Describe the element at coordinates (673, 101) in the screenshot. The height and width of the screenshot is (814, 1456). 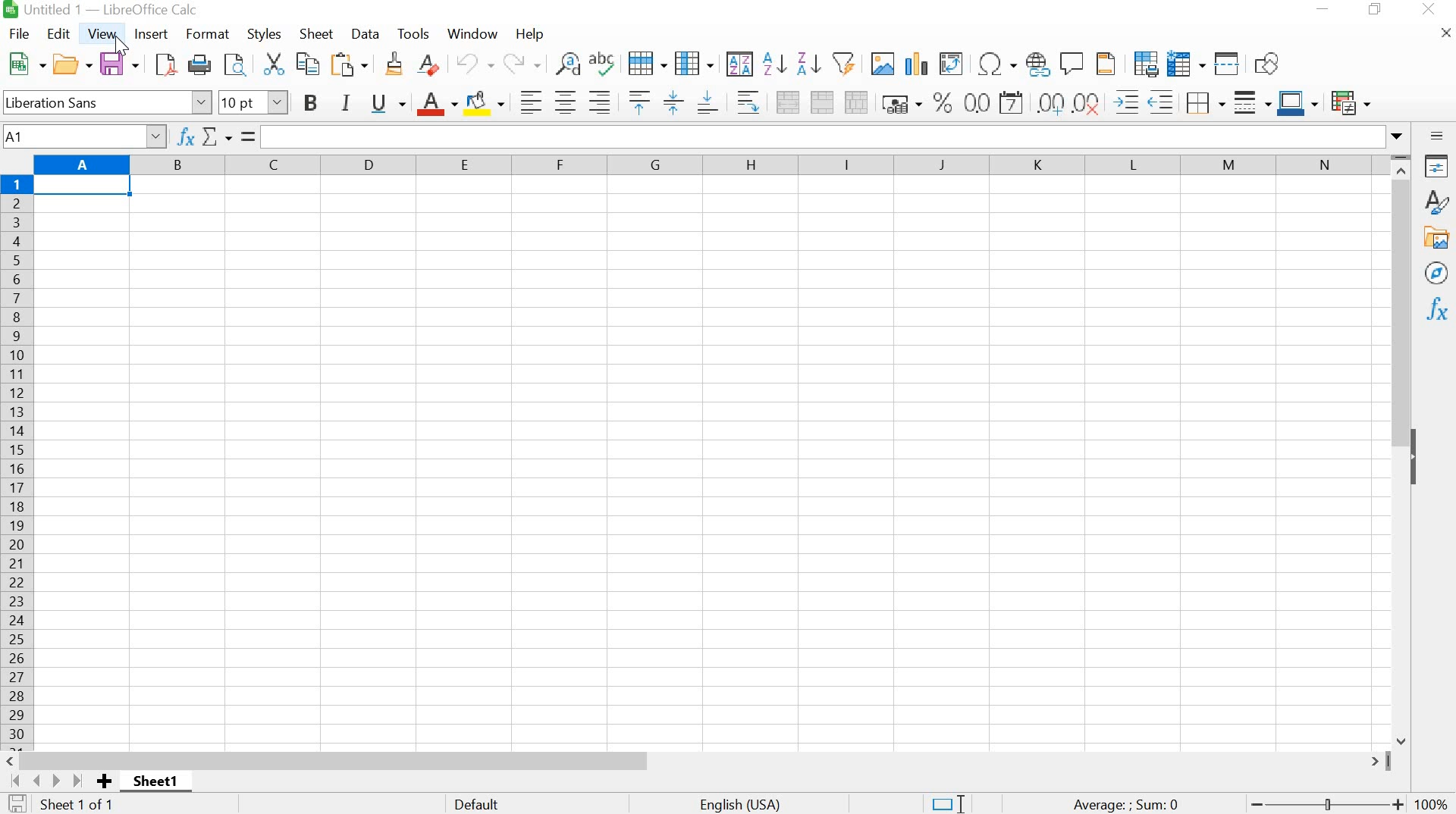
I see `CENTER VERTICALLY` at that location.